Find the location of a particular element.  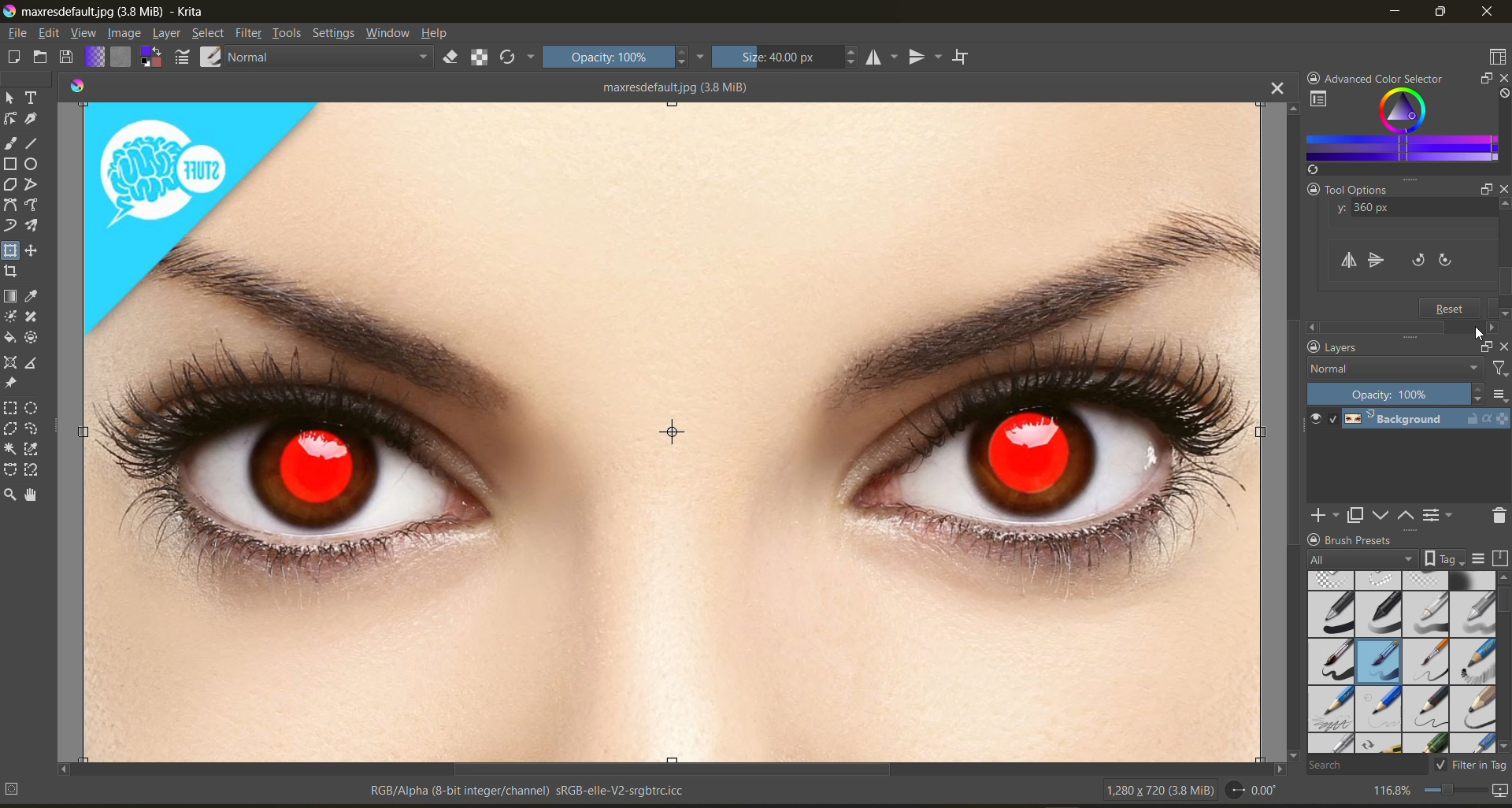

colors is located at coordinates (78, 83).